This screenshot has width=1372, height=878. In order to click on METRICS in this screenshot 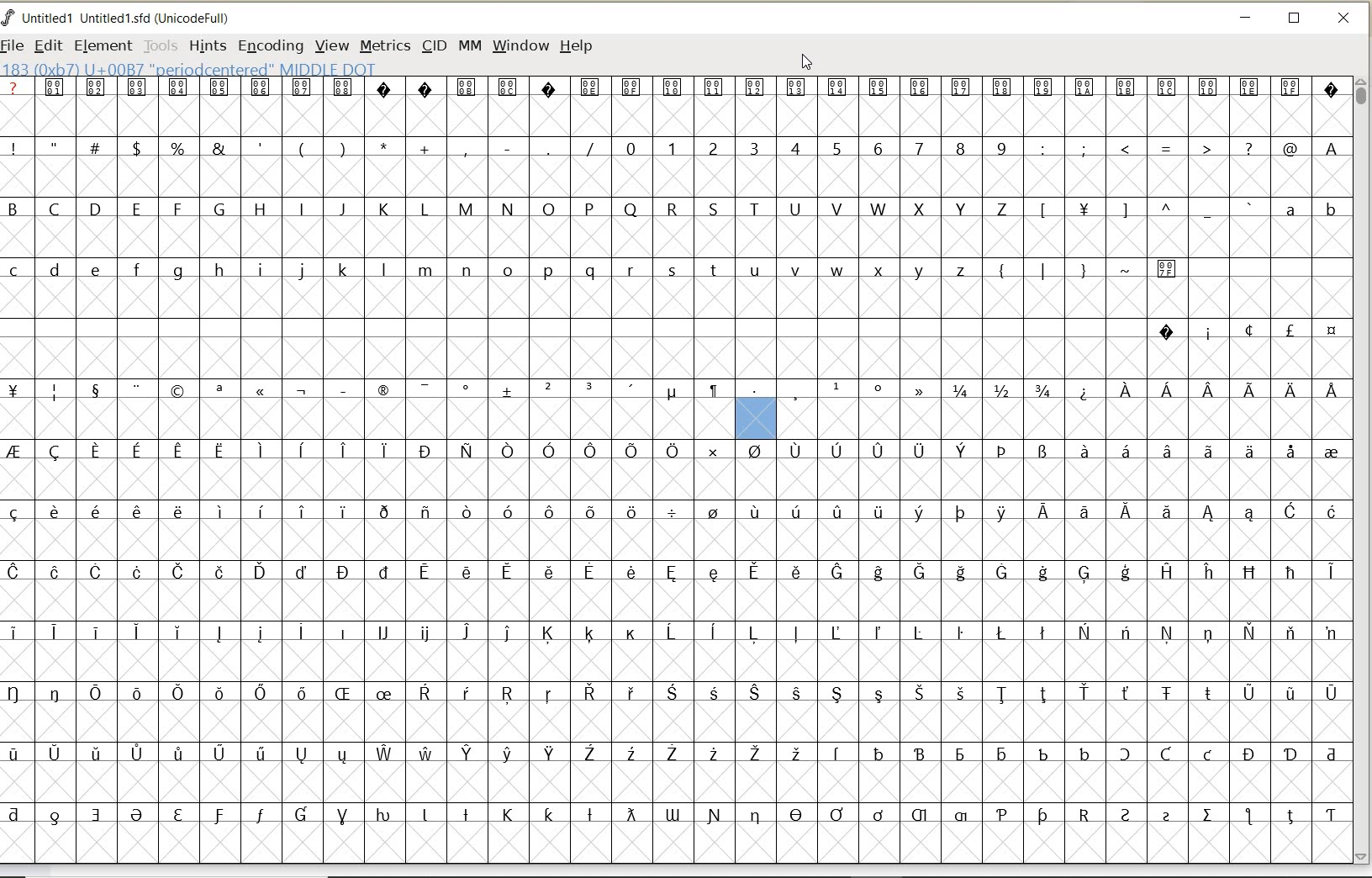, I will do `click(384, 47)`.